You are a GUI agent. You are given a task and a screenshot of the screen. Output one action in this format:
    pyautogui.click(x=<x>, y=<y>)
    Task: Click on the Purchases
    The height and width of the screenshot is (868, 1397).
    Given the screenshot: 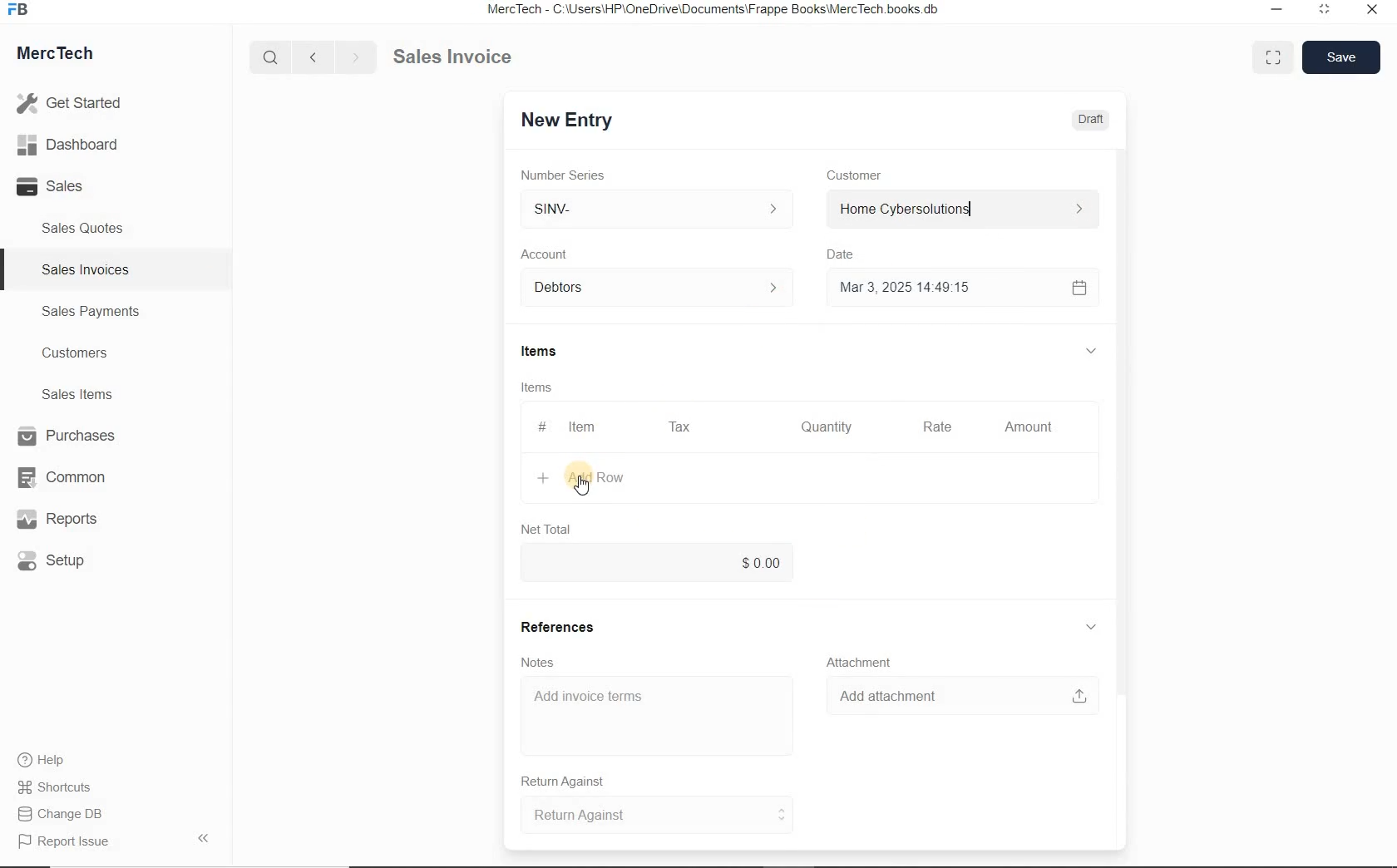 What is the action you would take?
    pyautogui.click(x=69, y=437)
    